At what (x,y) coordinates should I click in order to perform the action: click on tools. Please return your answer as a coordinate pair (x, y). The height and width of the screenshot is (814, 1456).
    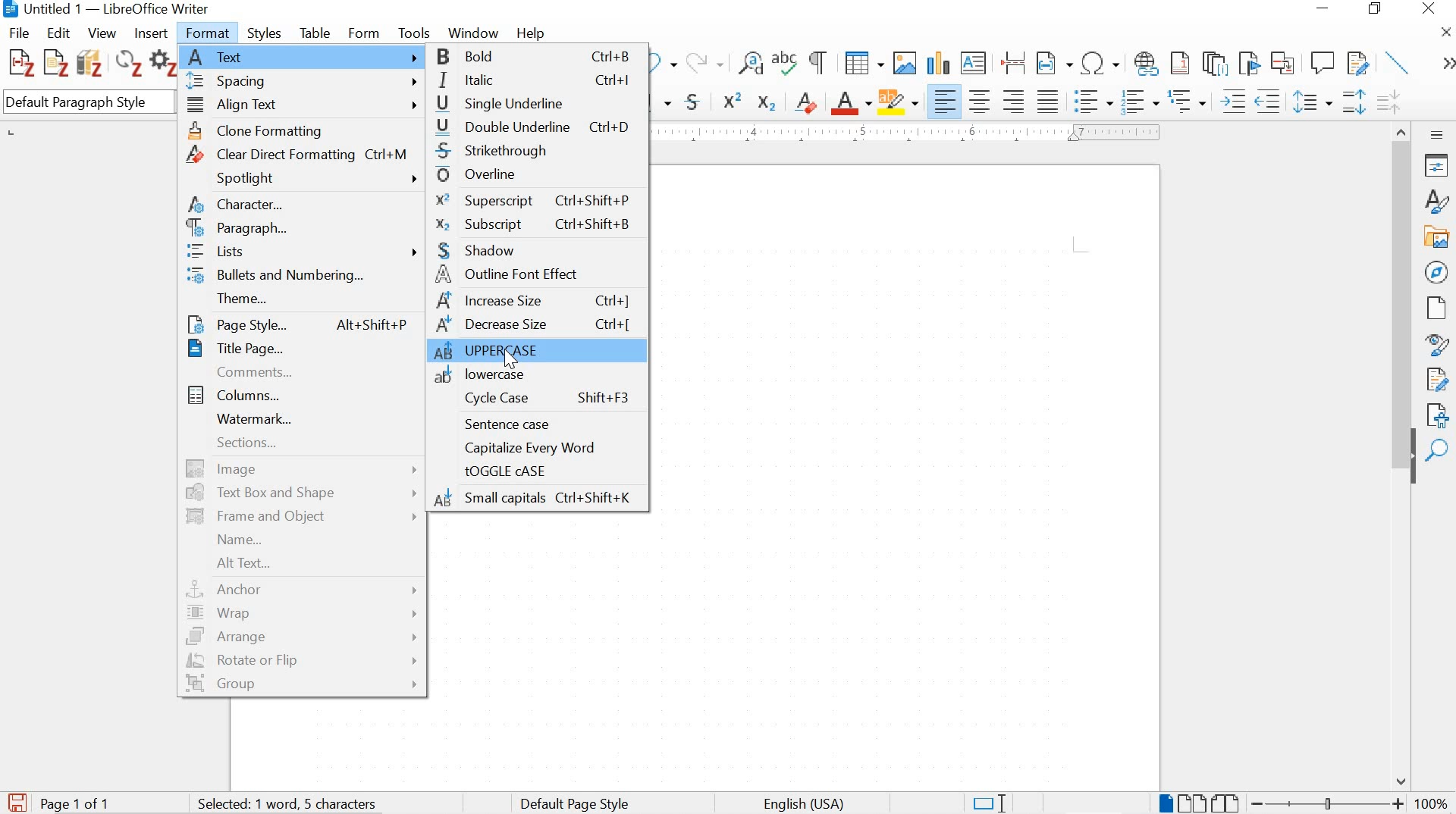
    Looking at the image, I should click on (416, 31).